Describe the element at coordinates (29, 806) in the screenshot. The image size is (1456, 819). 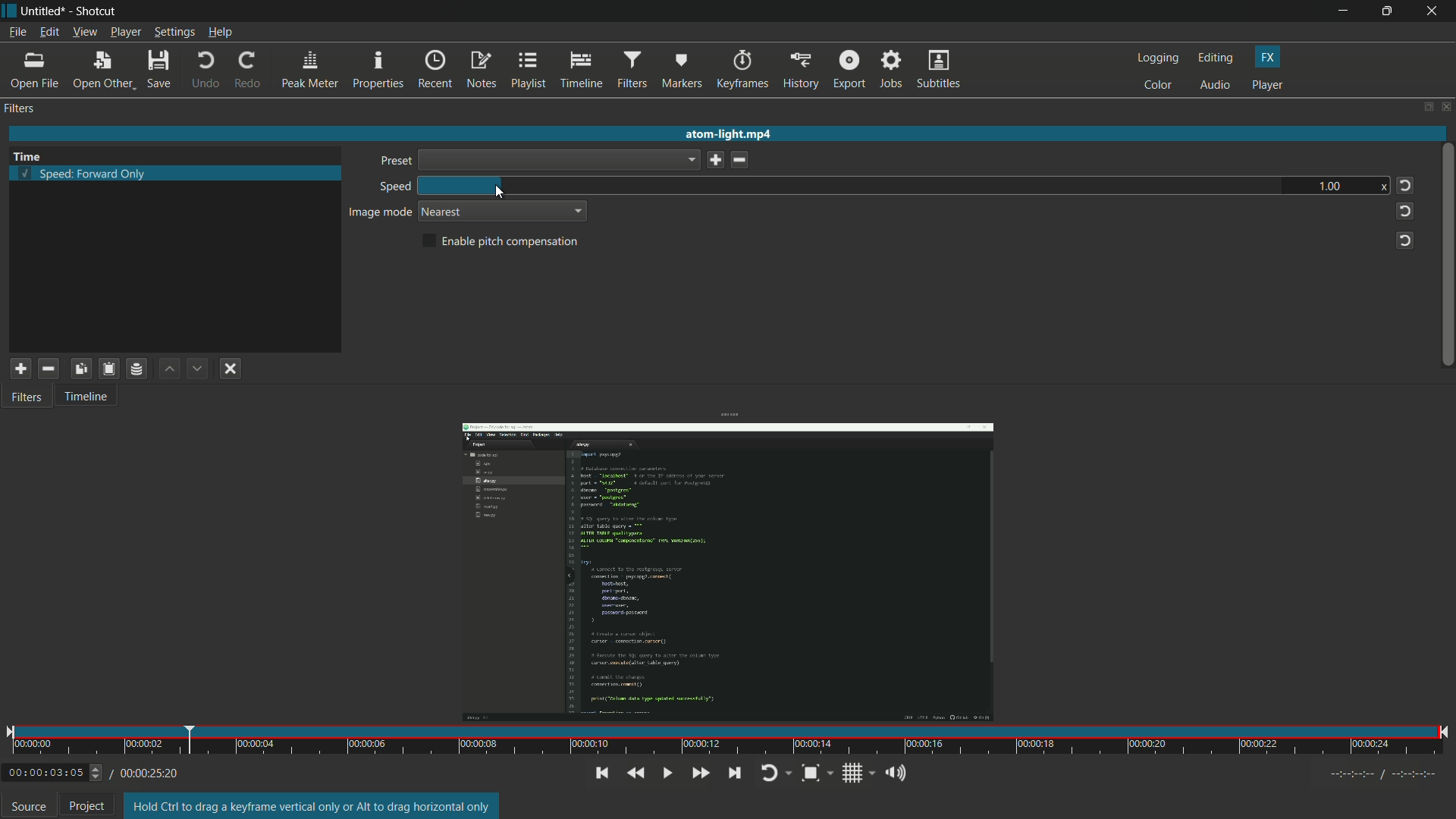
I see `source` at that location.